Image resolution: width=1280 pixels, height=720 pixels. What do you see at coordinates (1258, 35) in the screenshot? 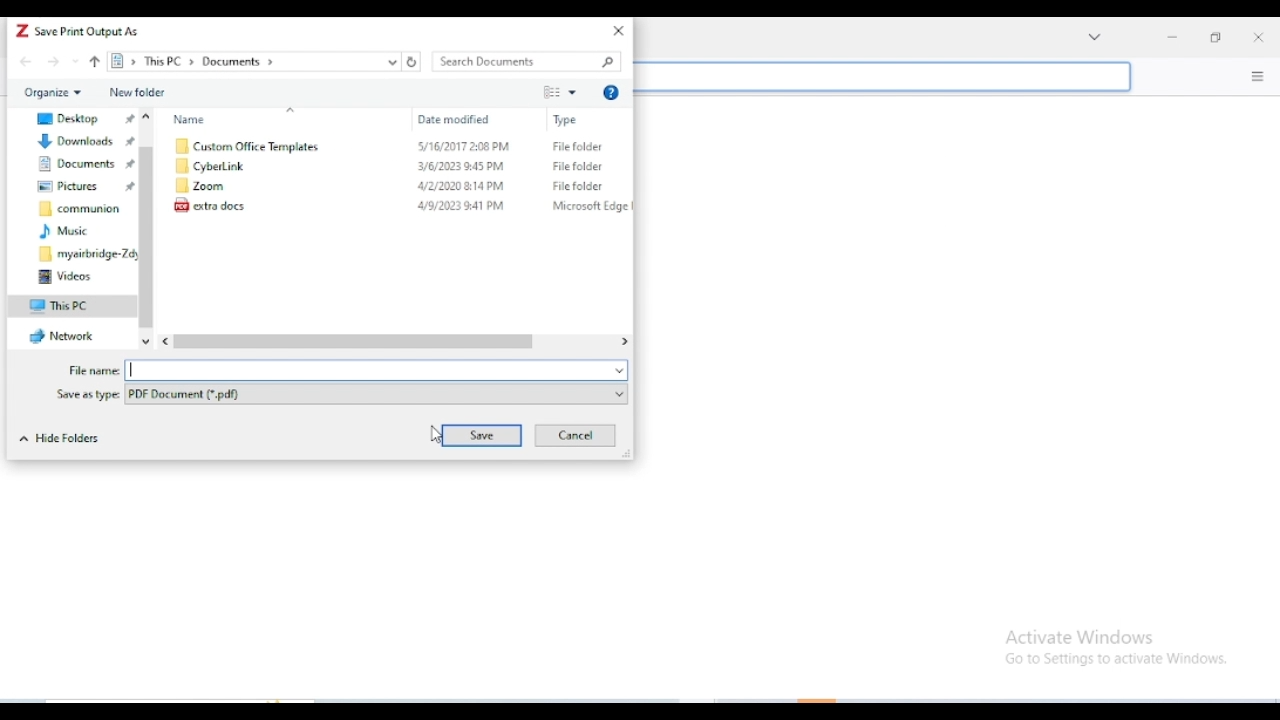
I see `close` at bounding box center [1258, 35].